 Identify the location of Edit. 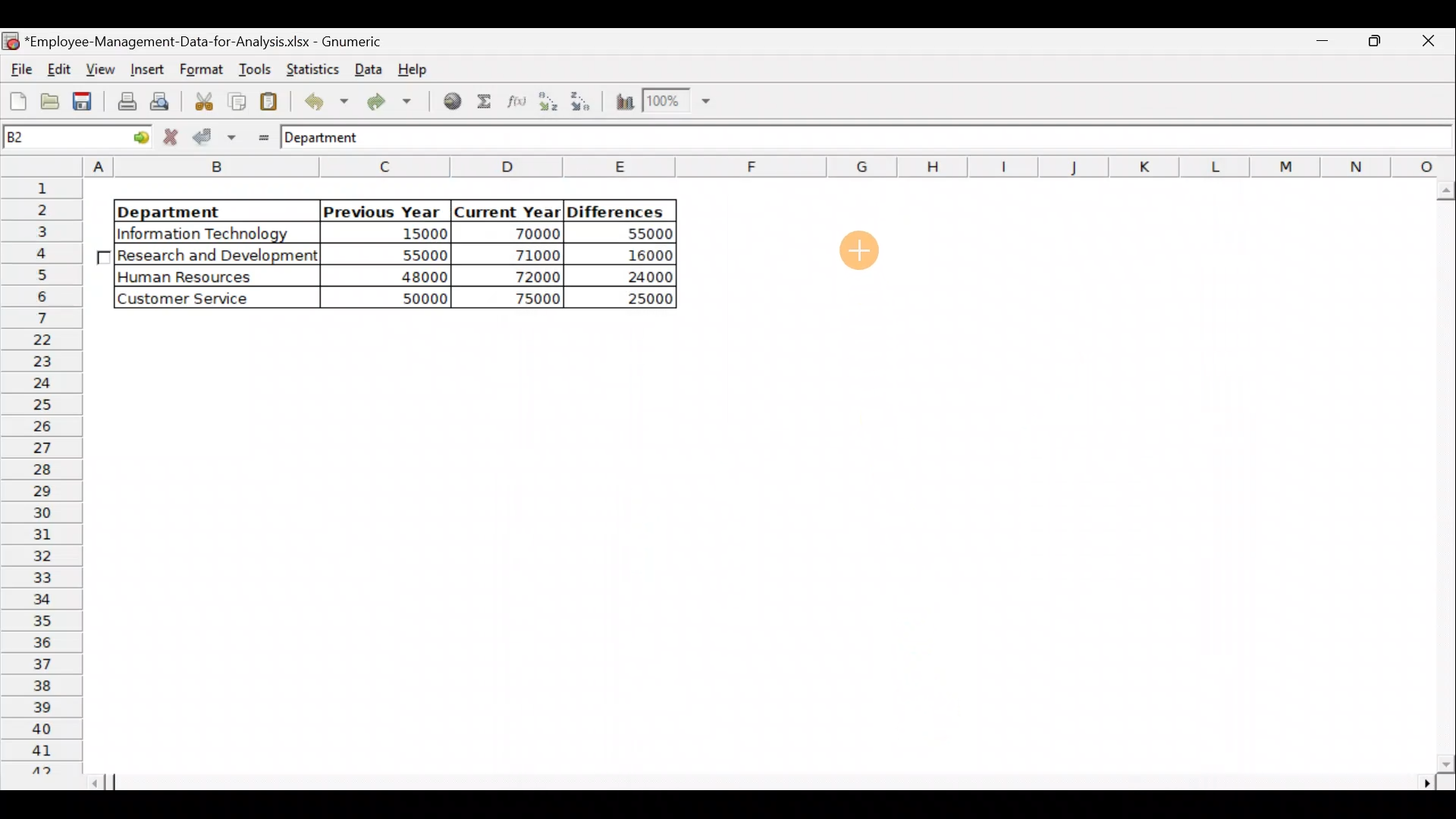
(61, 67).